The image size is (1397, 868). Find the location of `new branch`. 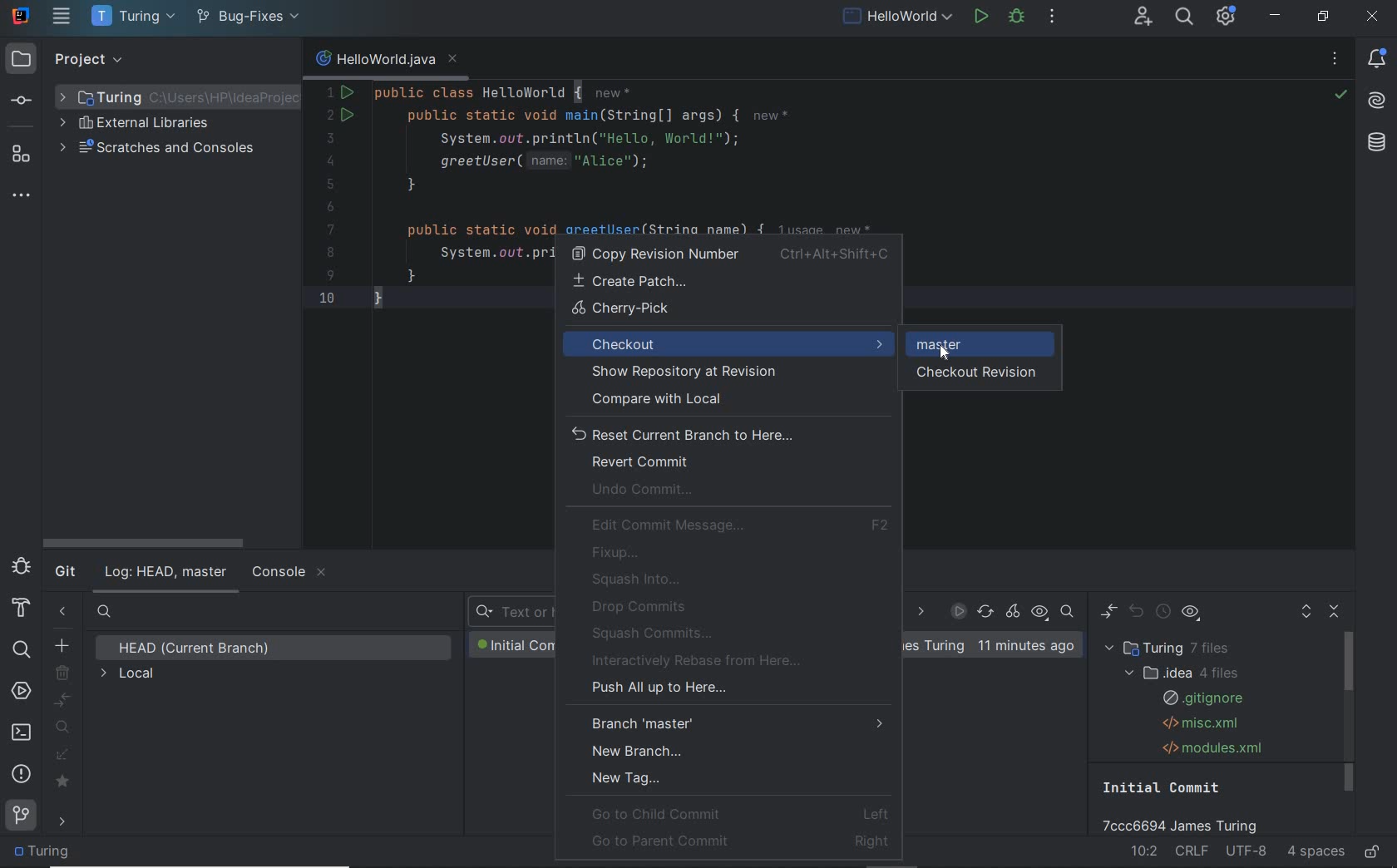

new branch is located at coordinates (62, 644).